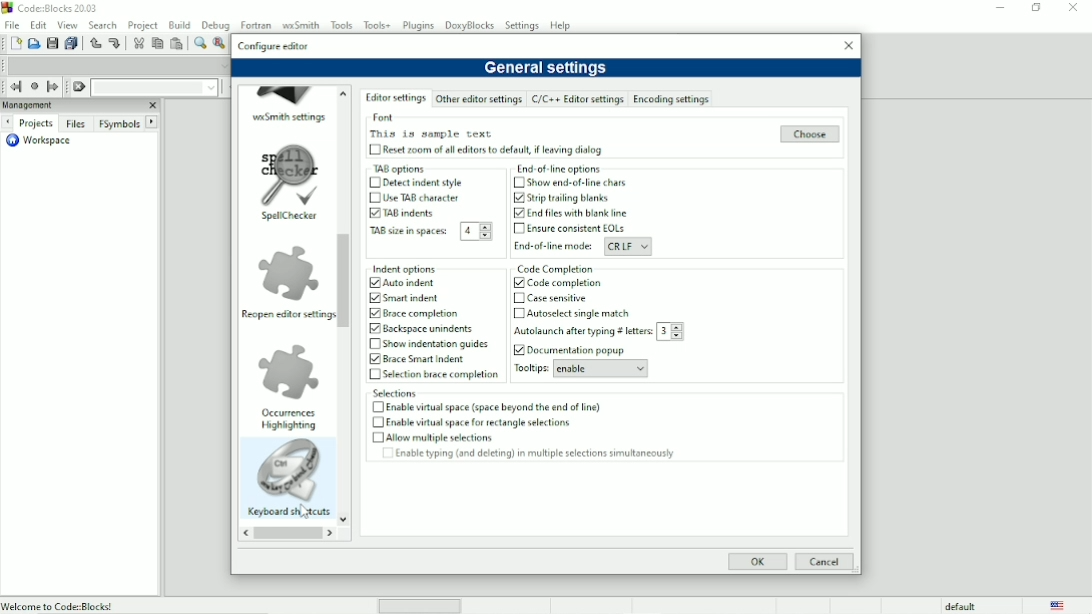 This screenshot has height=614, width=1092. Describe the element at coordinates (374, 298) in the screenshot. I see `` at that location.